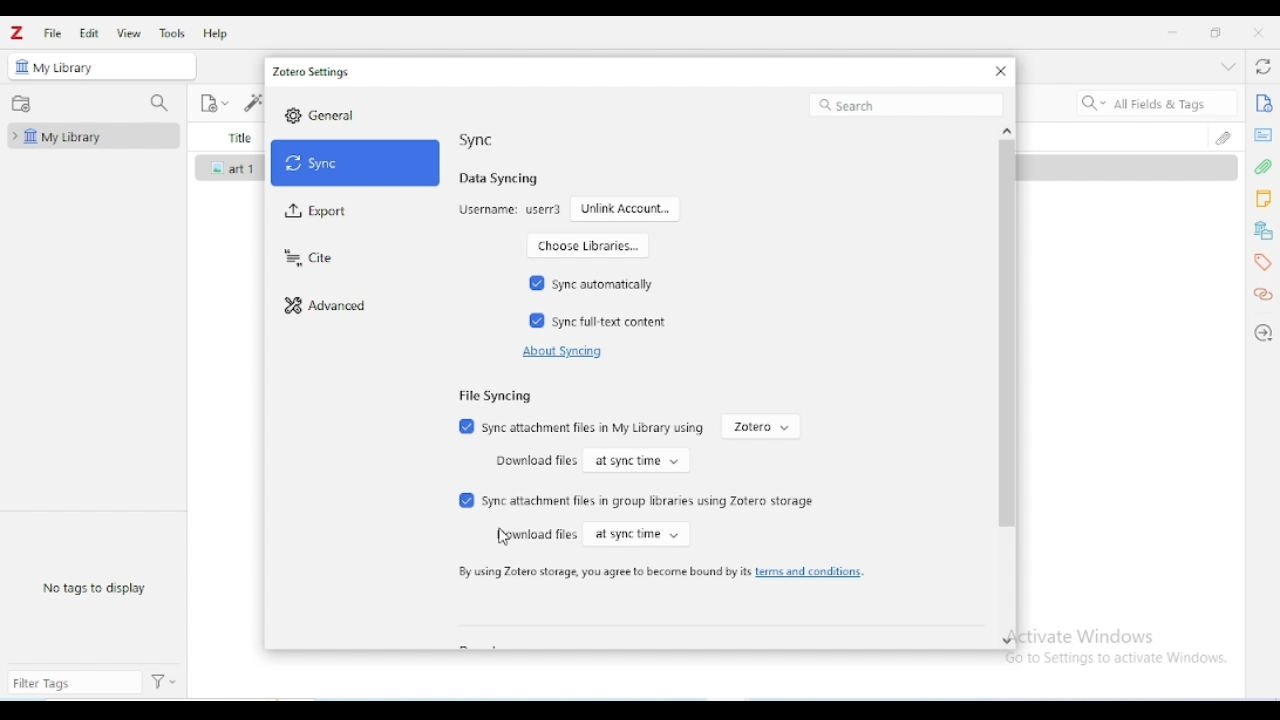 Image resolution: width=1280 pixels, height=720 pixels. I want to click on at sync time, so click(637, 460).